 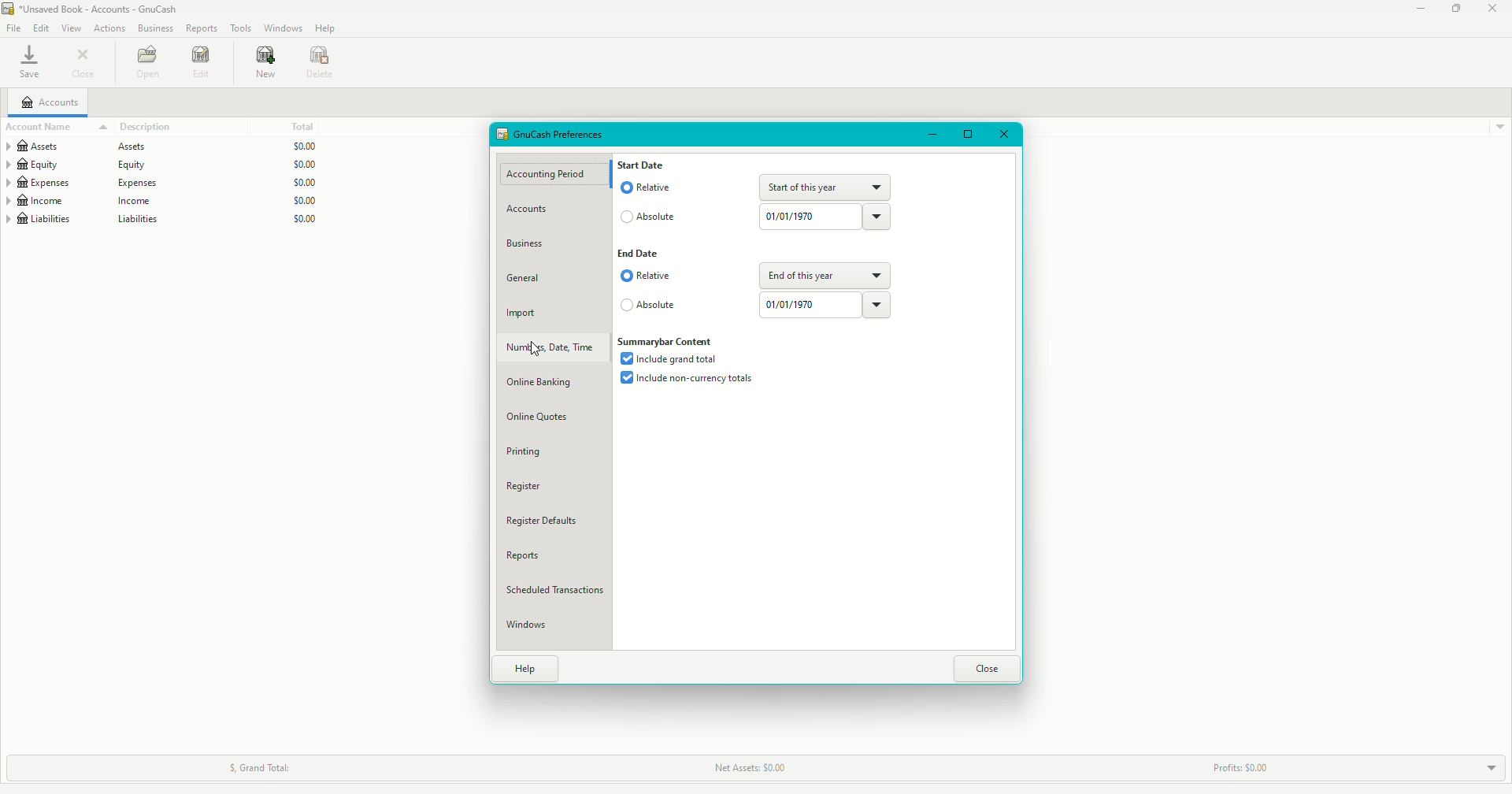 What do you see at coordinates (165, 147) in the screenshot?
I see `Assets` at bounding box center [165, 147].